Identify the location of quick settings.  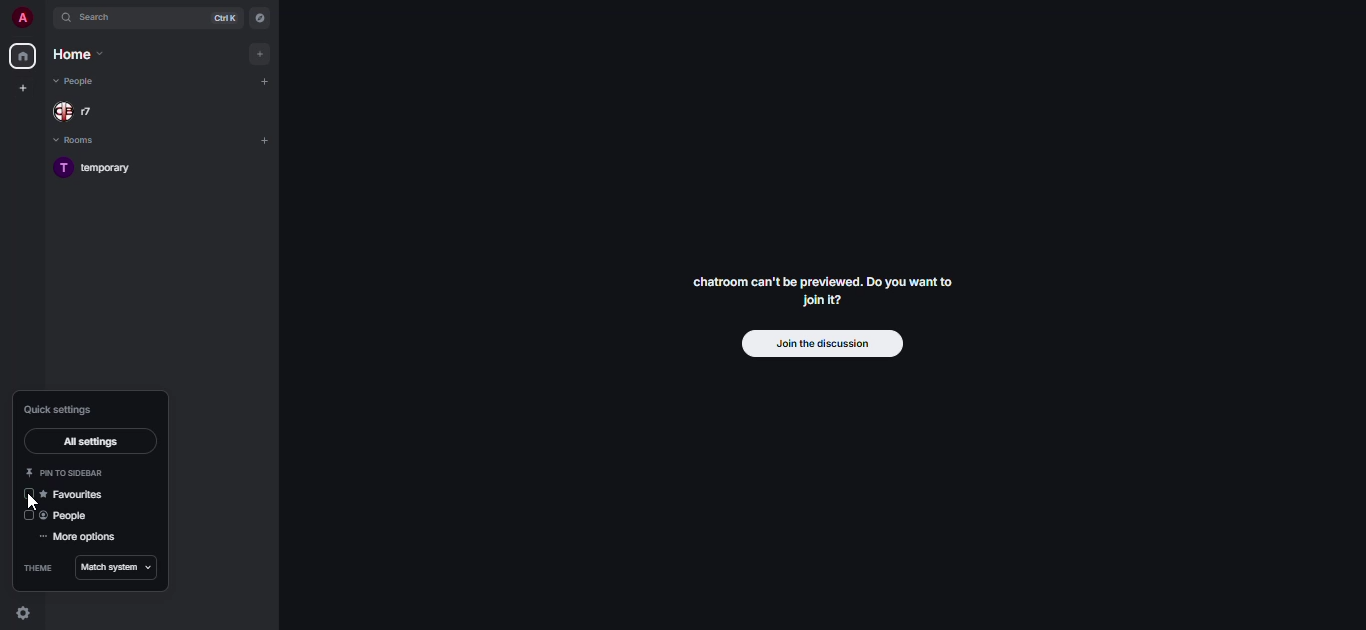
(61, 409).